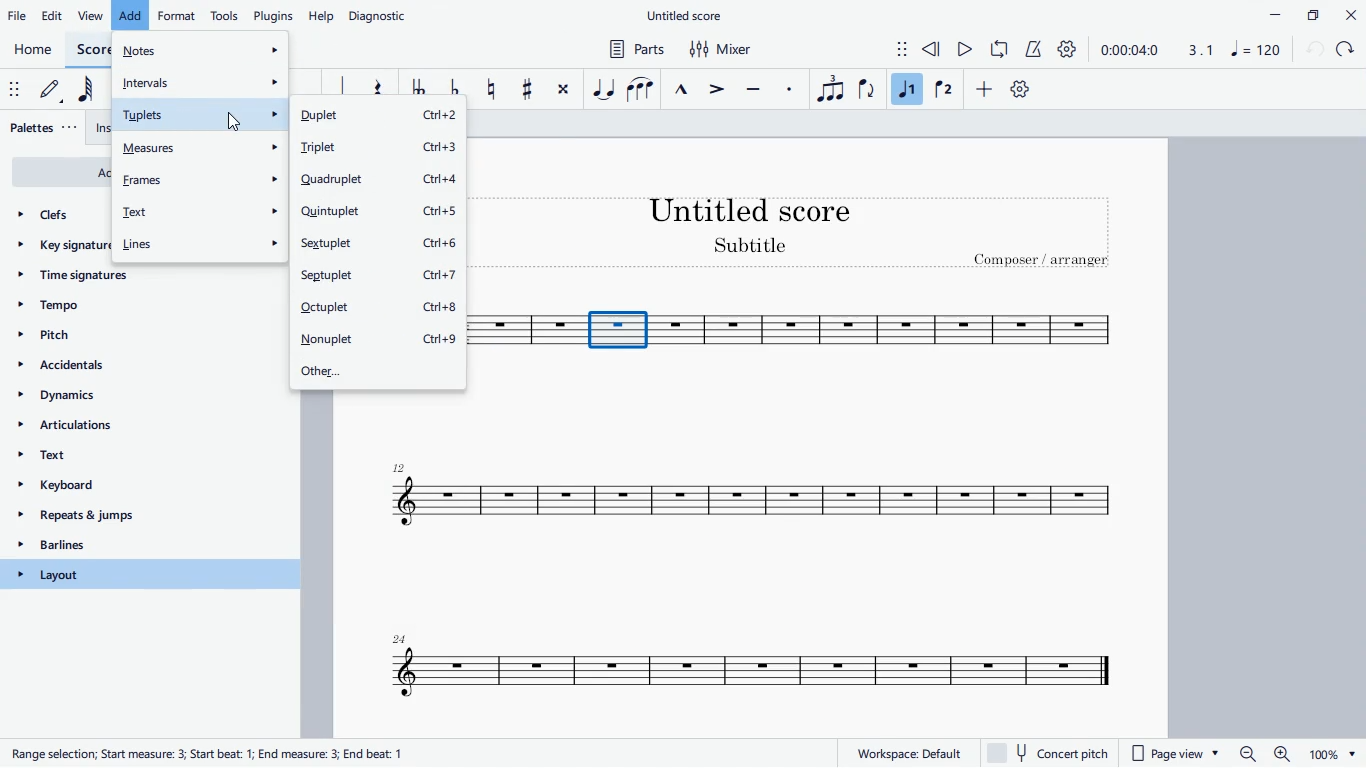 The width and height of the screenshot is (1366, 768). Describe the element at coordinates (139, 488) in the screenshot. I see `keyboard` at that location.